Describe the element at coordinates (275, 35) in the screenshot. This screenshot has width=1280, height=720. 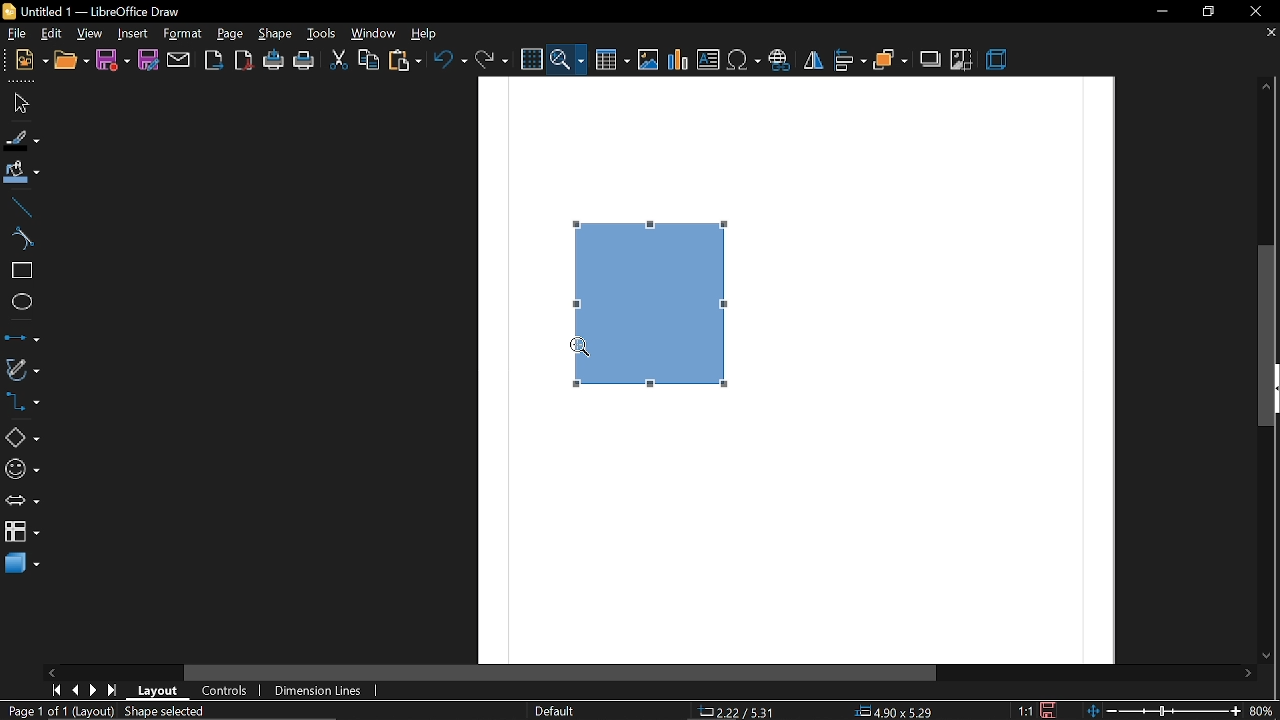
I see `shape` at that location.